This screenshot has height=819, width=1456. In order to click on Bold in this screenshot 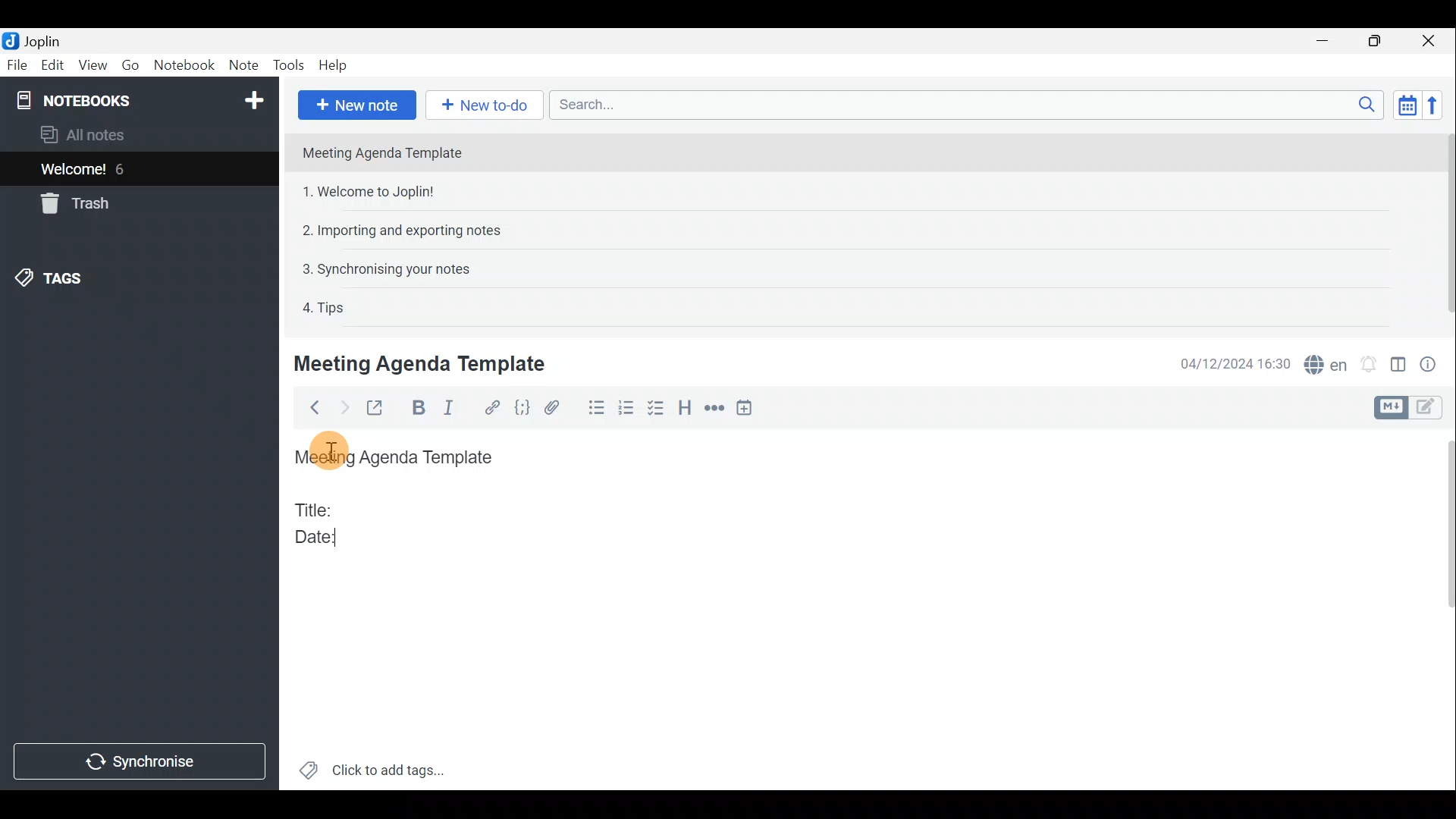, I will do `click(416, 408)`.